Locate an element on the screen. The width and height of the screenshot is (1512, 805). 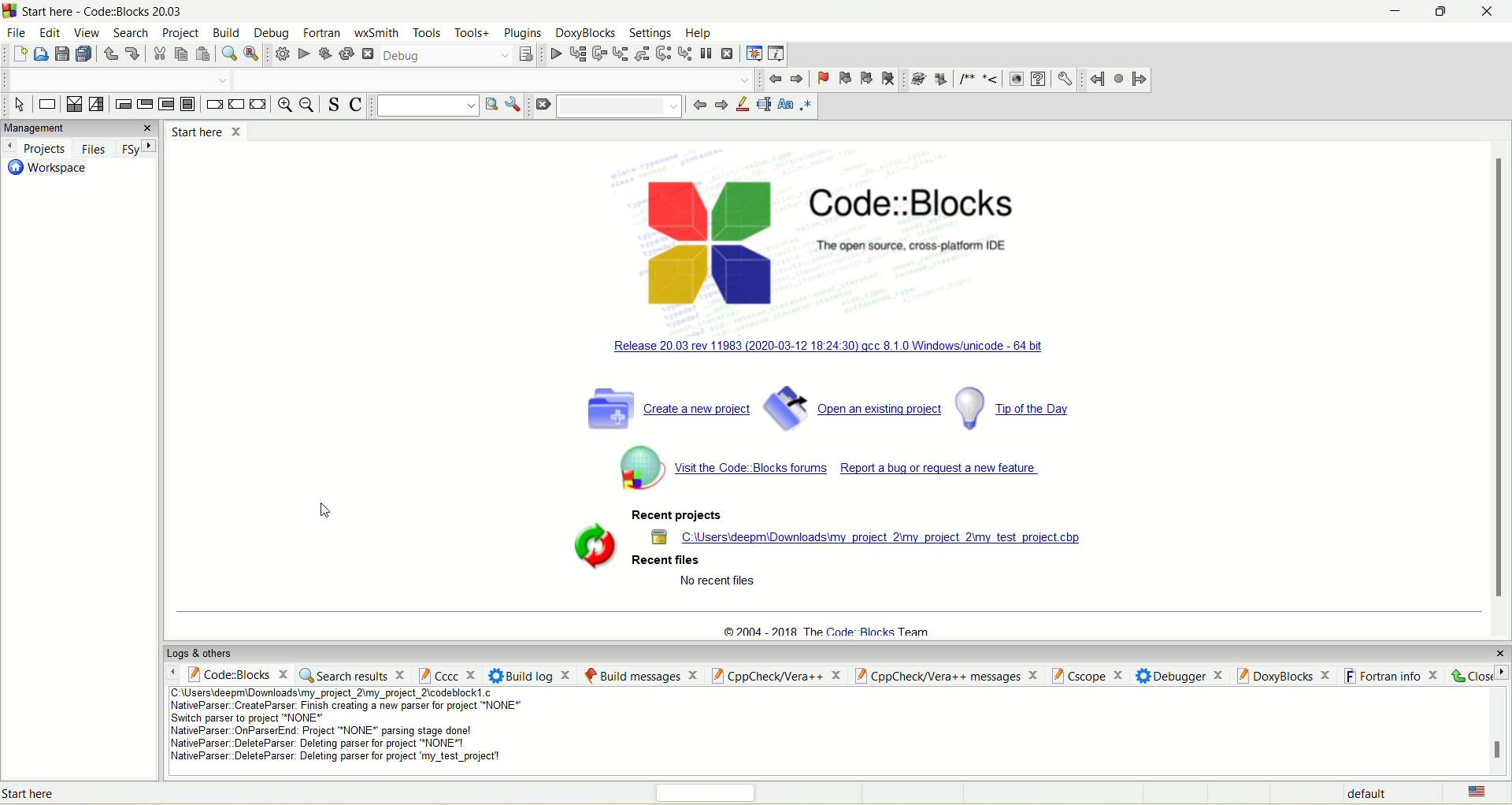
save everything is located at coordinates (83, 54).